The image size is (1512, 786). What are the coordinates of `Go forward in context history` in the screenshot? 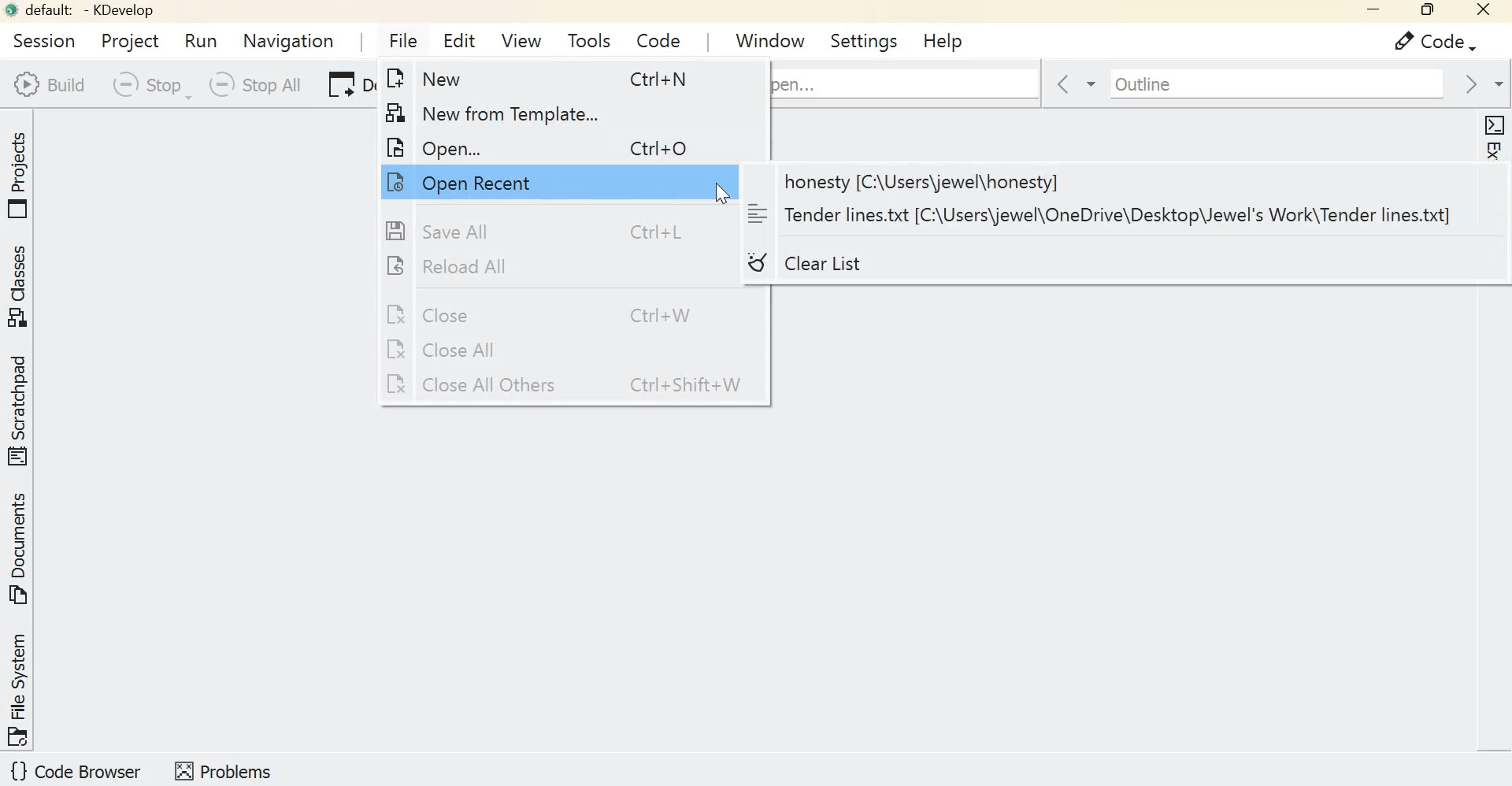 It's located at (1480, 83).